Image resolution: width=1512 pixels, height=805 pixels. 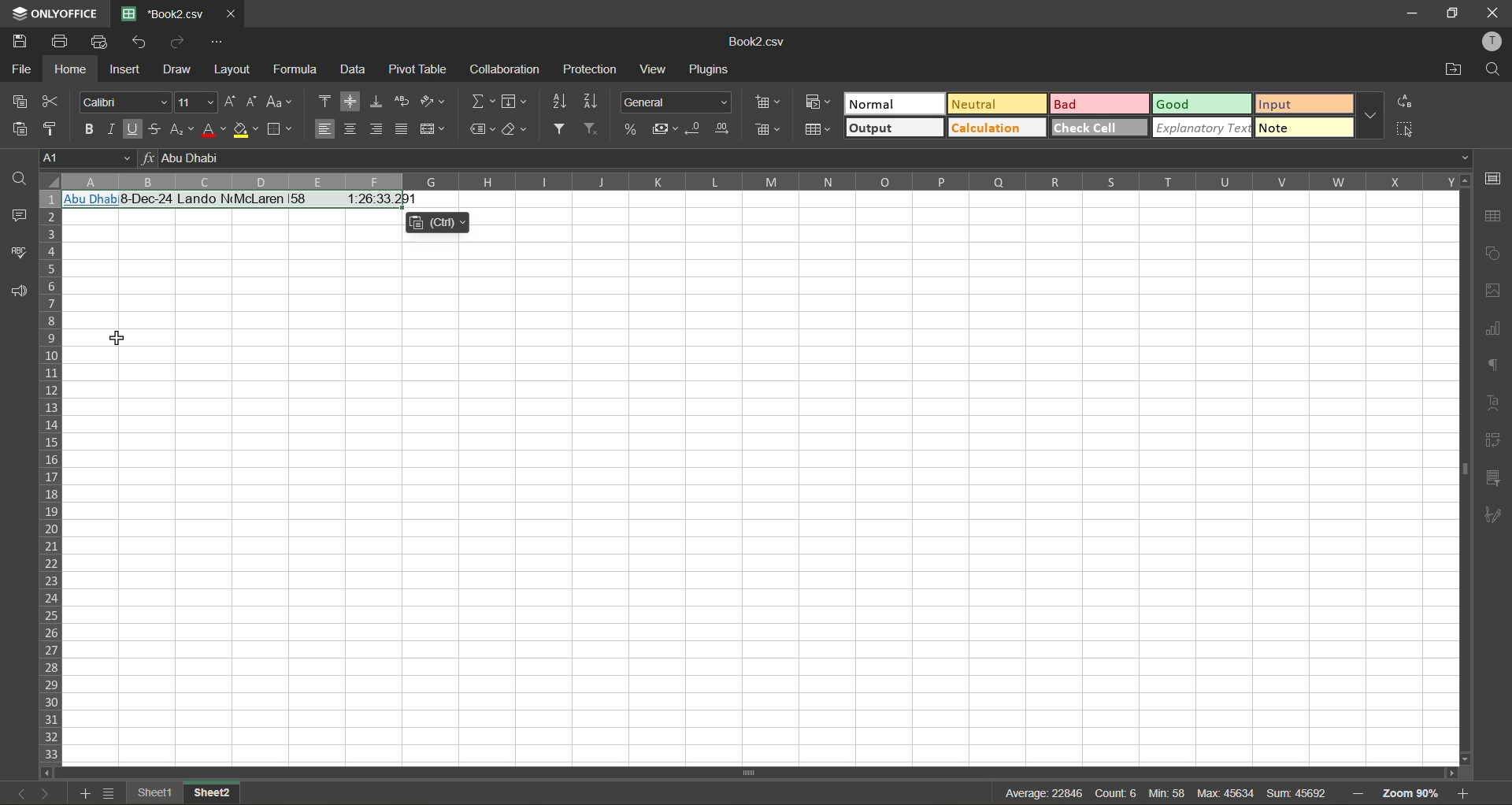 What do you see at coordinates (1496, 514) in the screenshot?
I see `signature` at bounding box center [1496, 514].